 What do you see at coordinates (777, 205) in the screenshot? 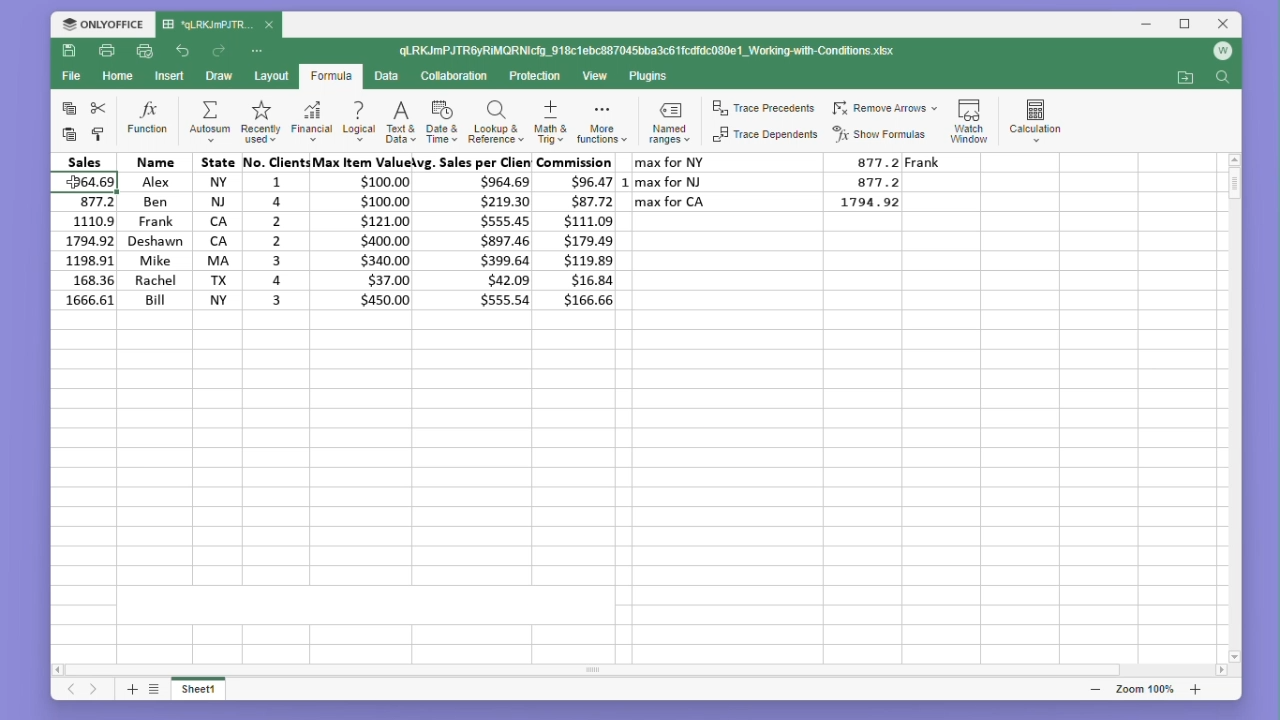
I see `max for LA 1794.92` at bounding box center [777, 205].